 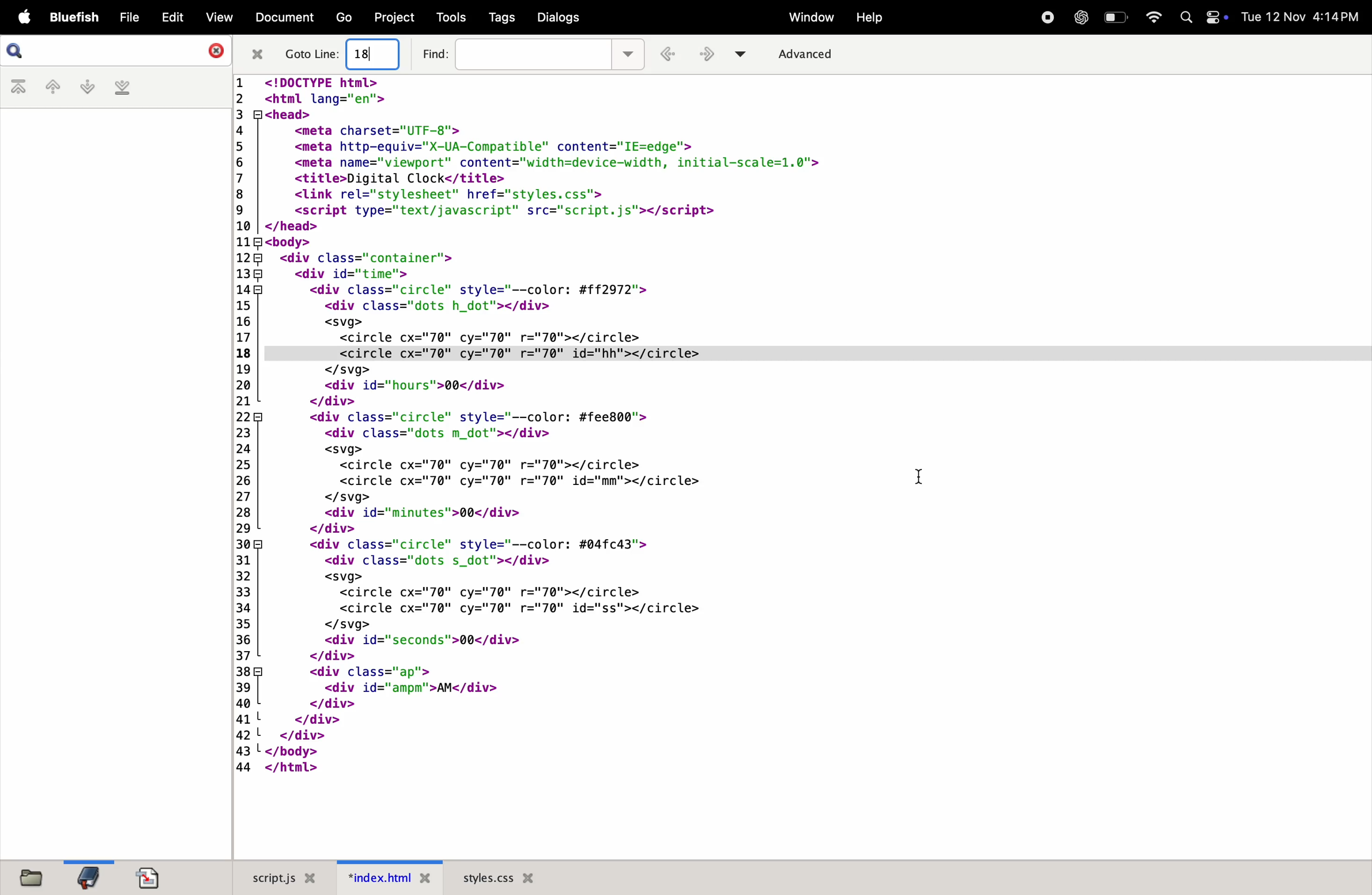 What do you see at coordinates (1218, 19) in the screenshot?
I see `Control center` at bounding box center [1218, 19].